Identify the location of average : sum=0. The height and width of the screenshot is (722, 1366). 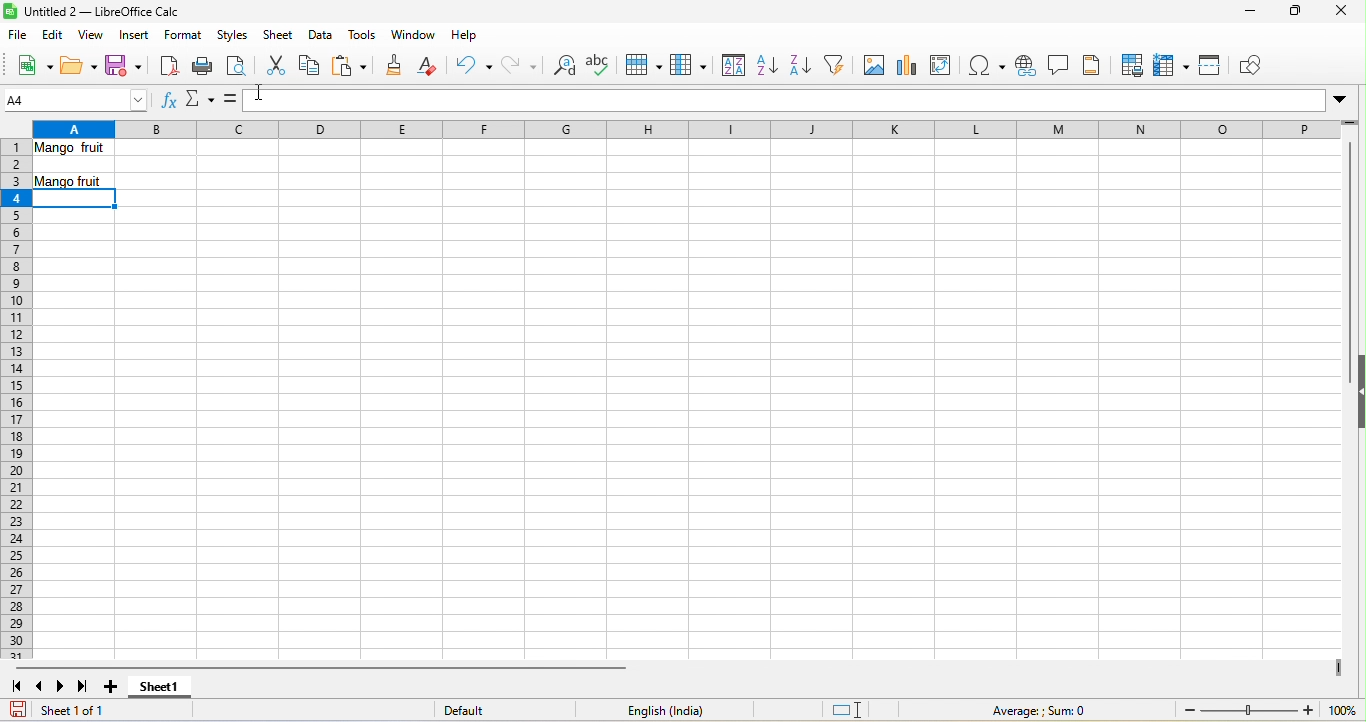
(1045, 711).